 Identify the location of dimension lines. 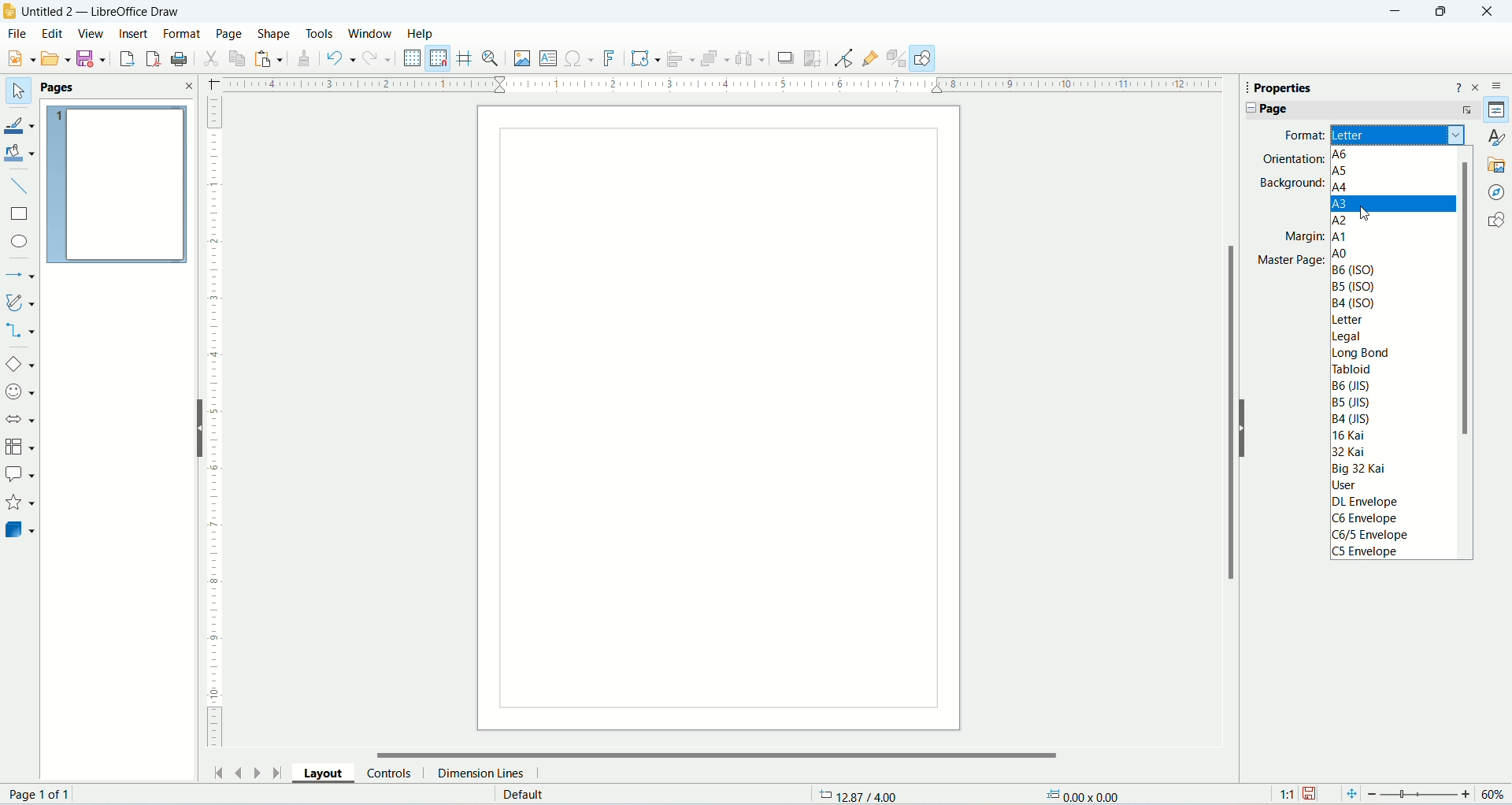
(481, 773).